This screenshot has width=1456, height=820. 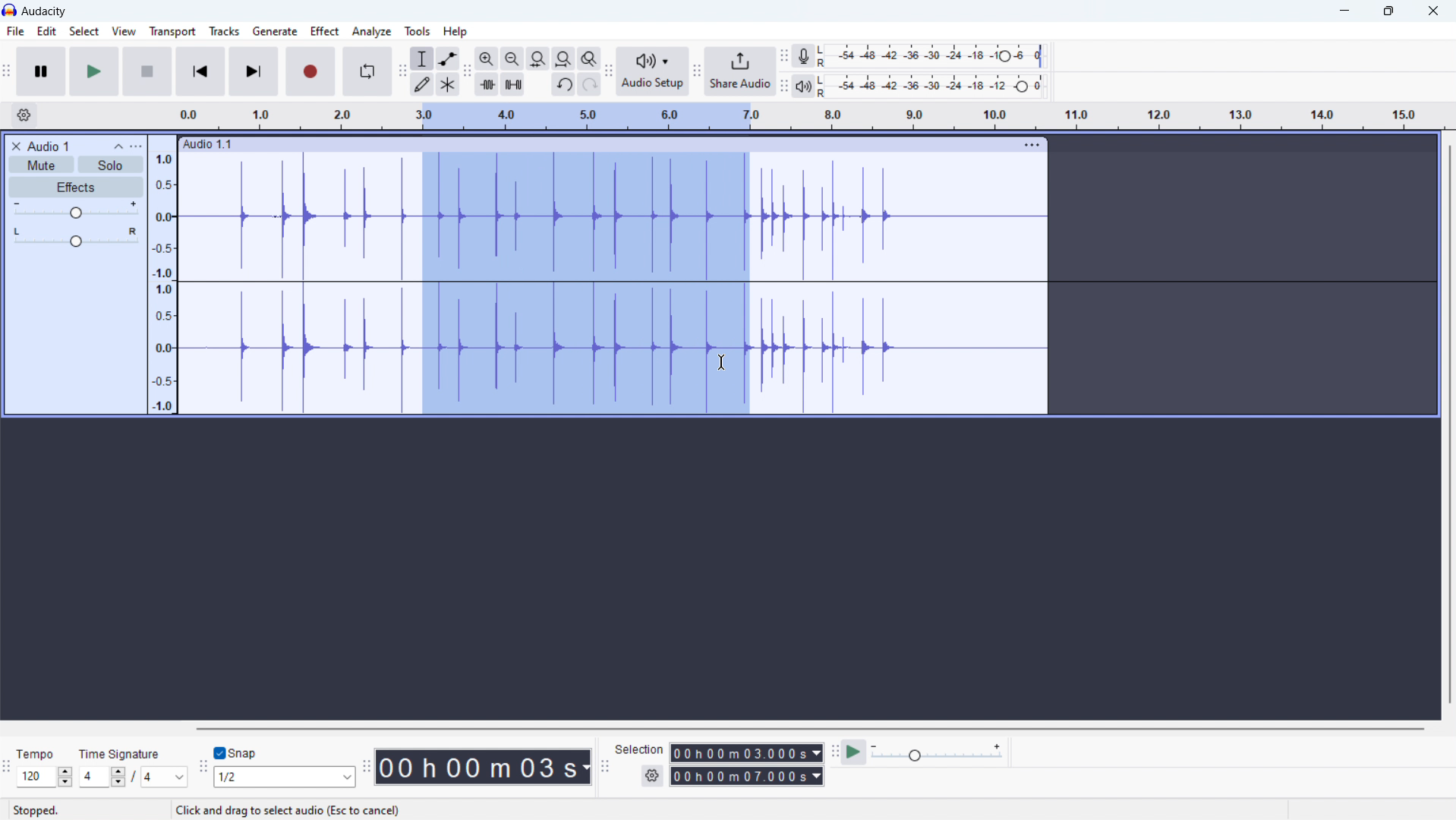 I want to click on tools, so click(x=418, y=30).